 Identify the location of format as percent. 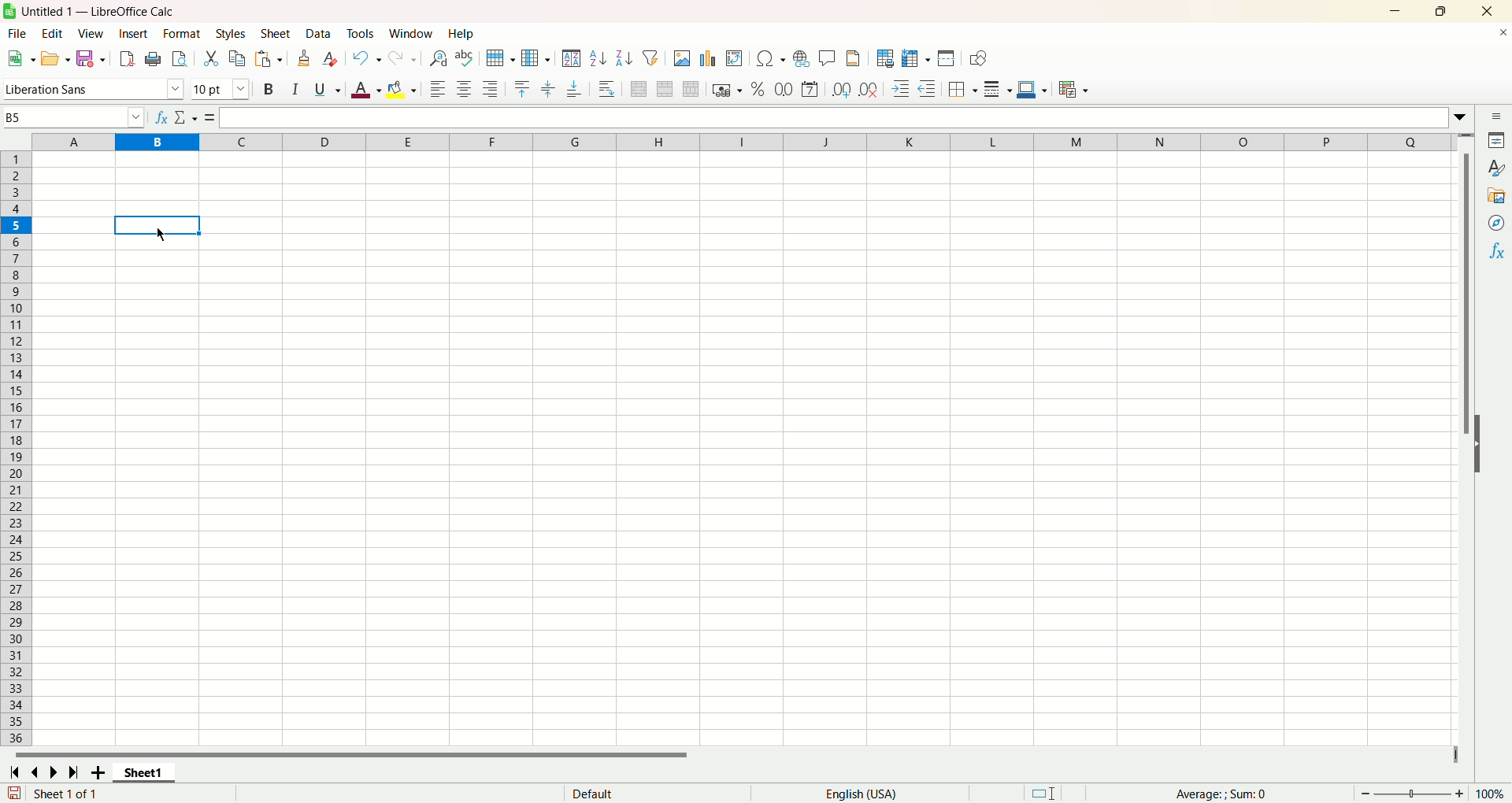
(760, 89).